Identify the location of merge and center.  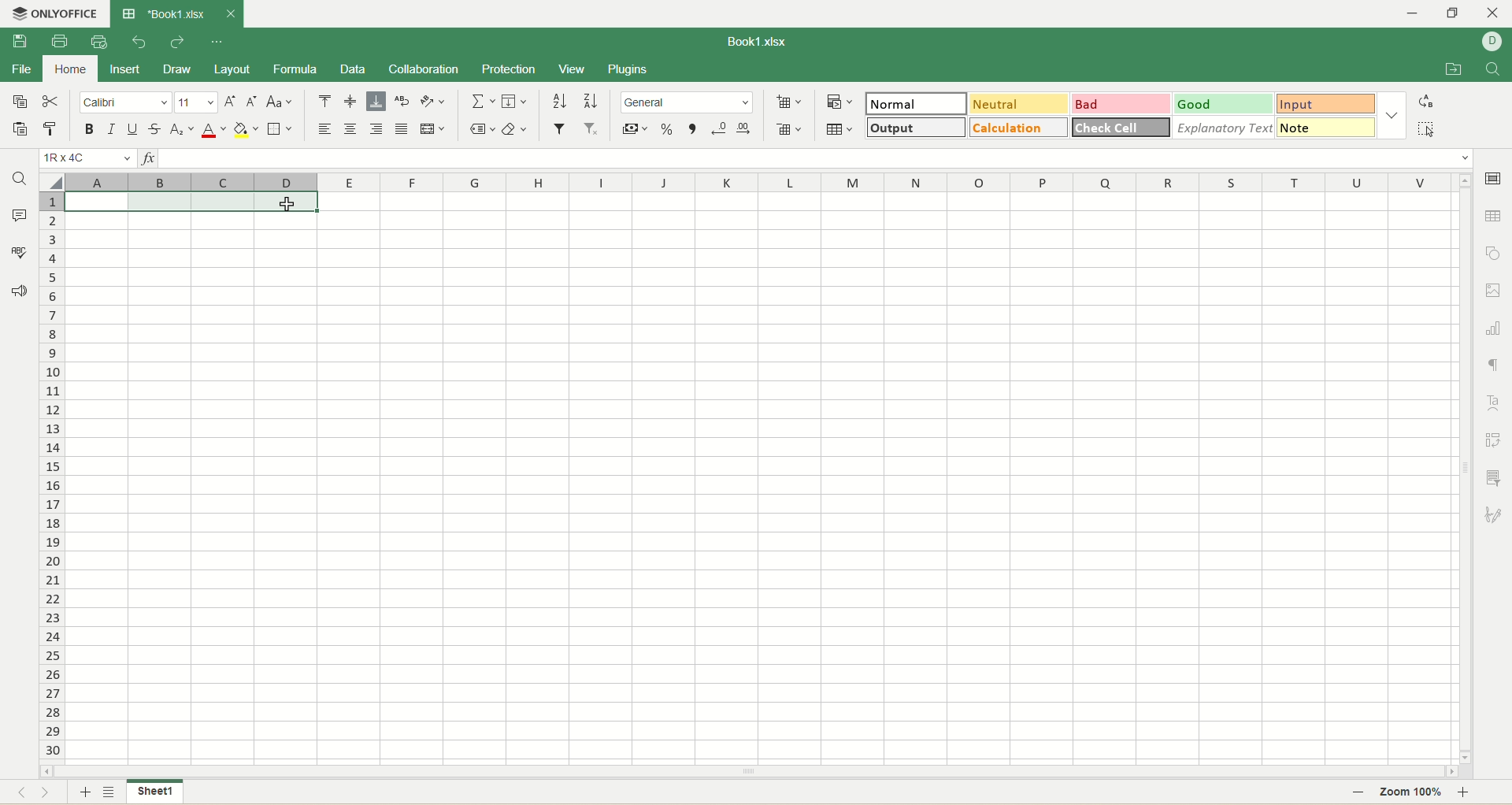
(432, 129).